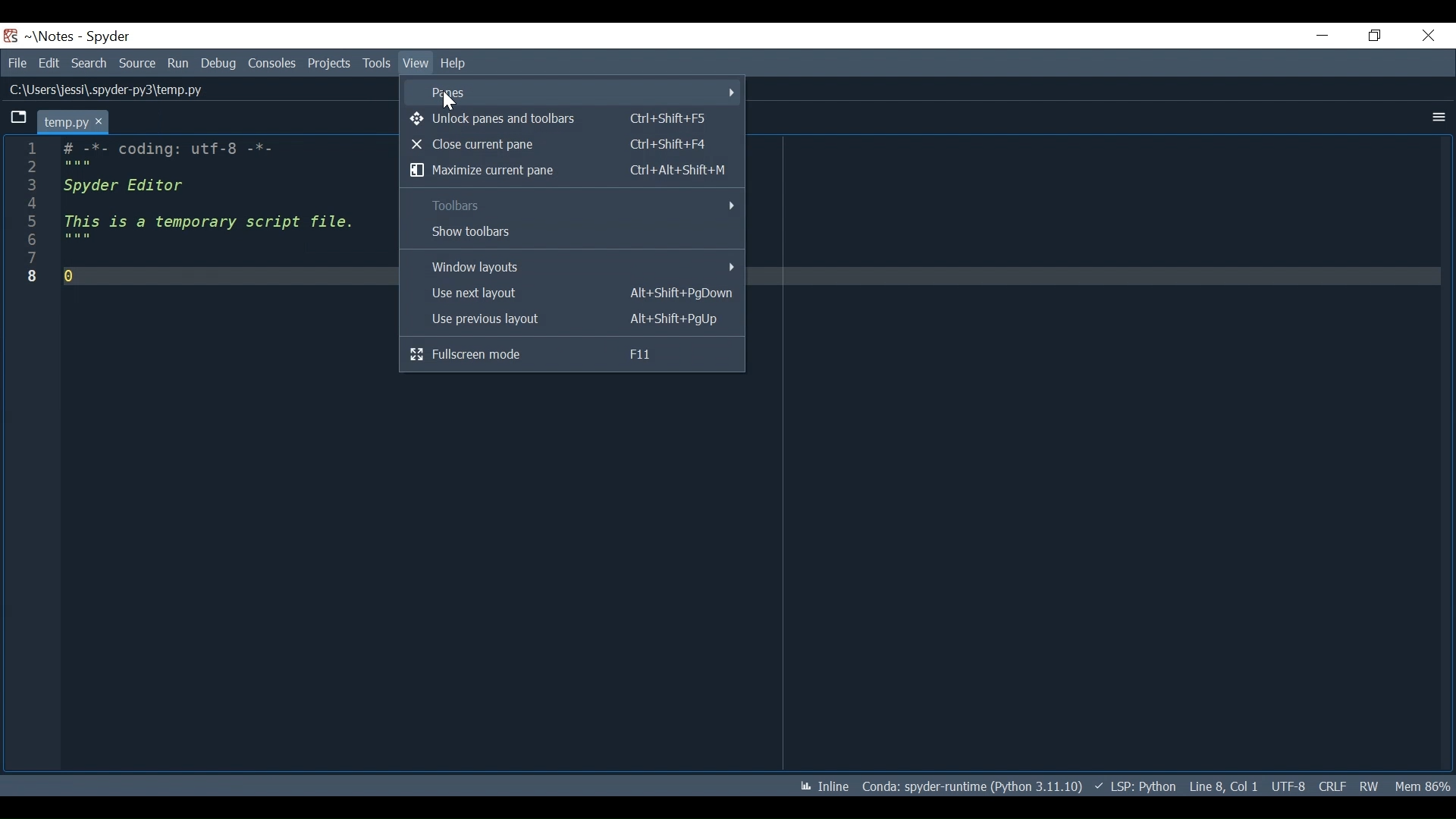 The width and height of the screenshot is (1456, 819). What do you see at coordinates (570, 355) in the screenshot?
I see `Fullscreen mode` at bounding box center [570, 355].